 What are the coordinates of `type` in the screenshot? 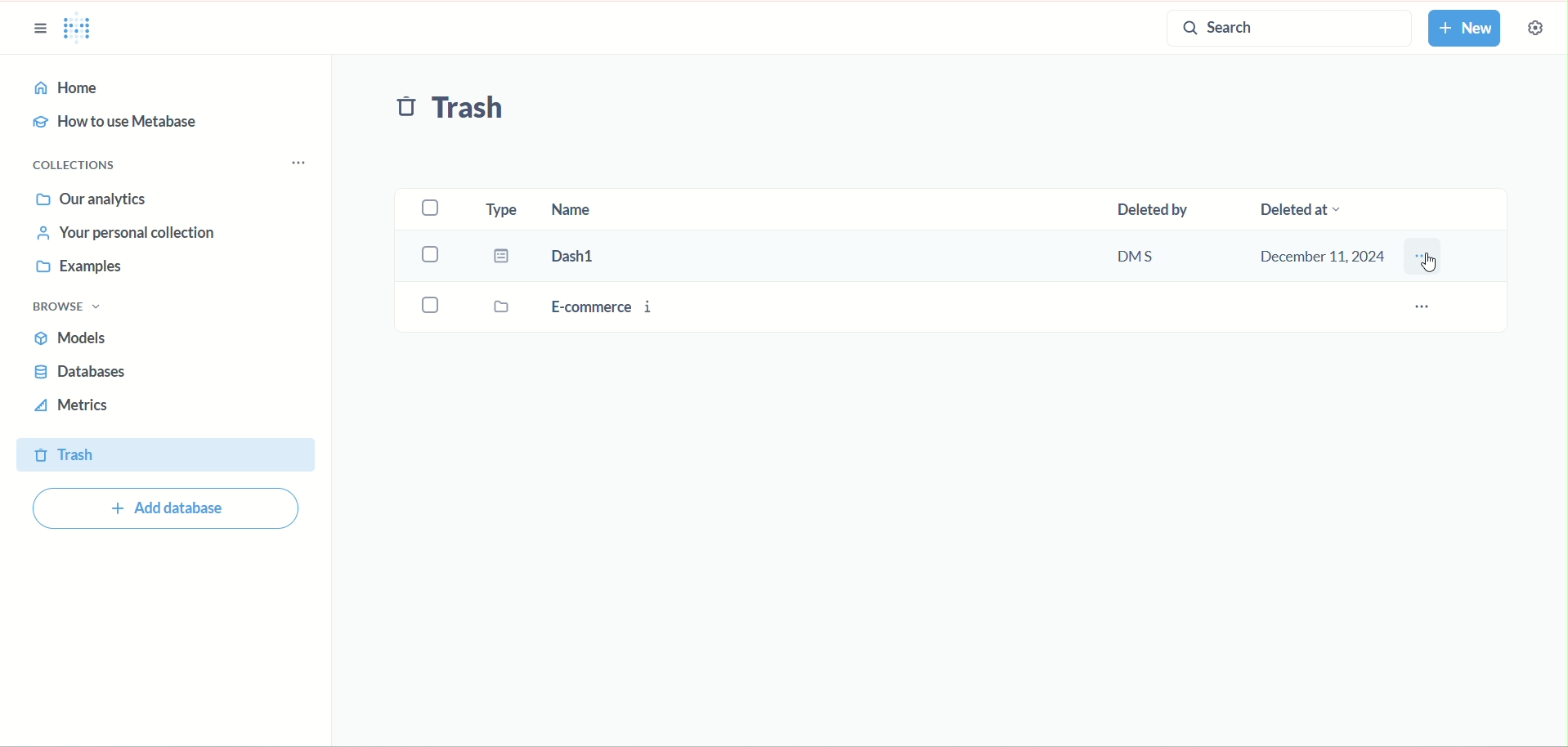 It's located at (501, 209).